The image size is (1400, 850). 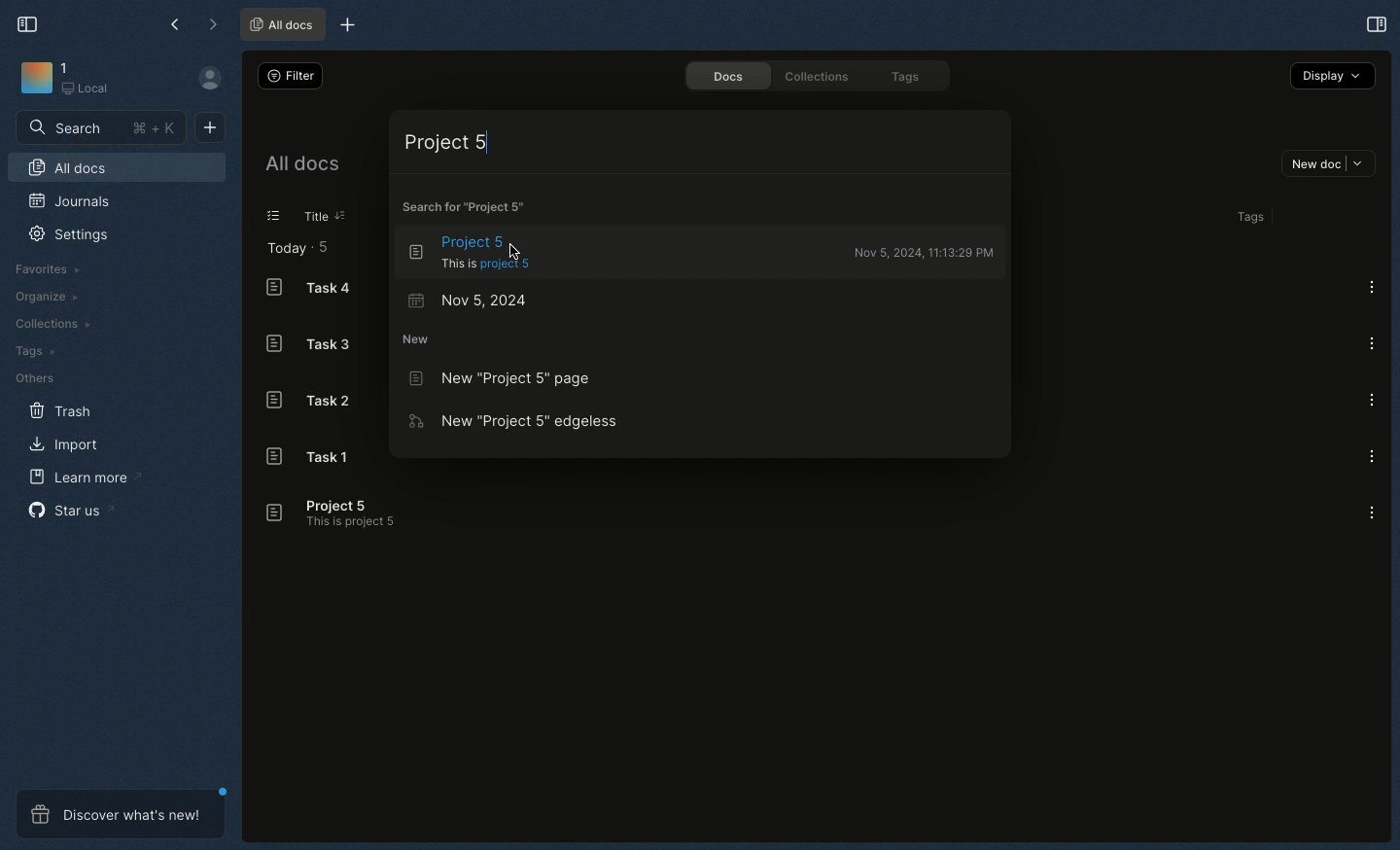 What do you see at coordinates (1372, 287) in the screenshot?
I see `Options` at bounding box center [1372, 287].